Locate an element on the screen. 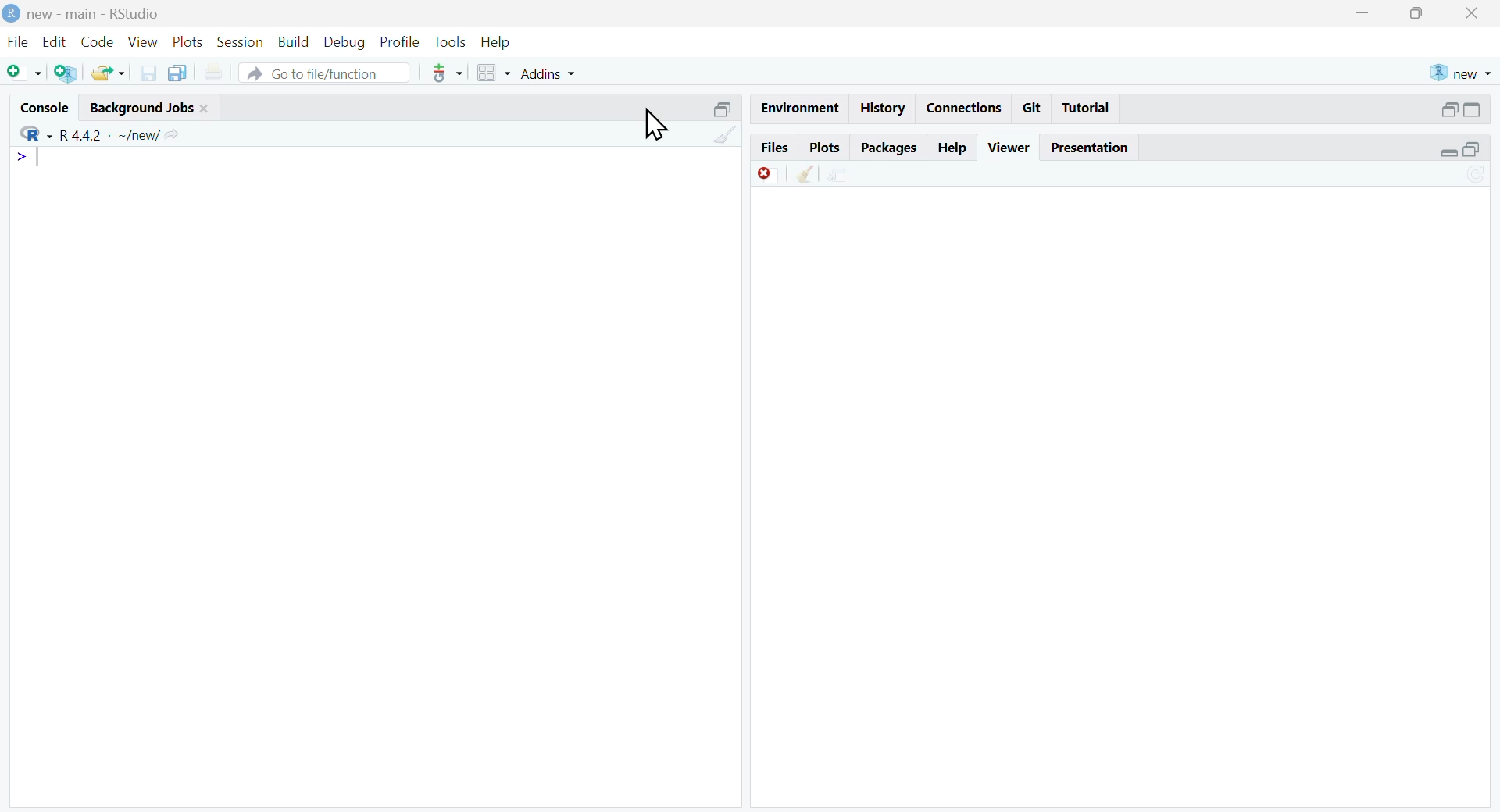 The image size is (1500, 812). switch to full view is located at coordinates (1472, 109).